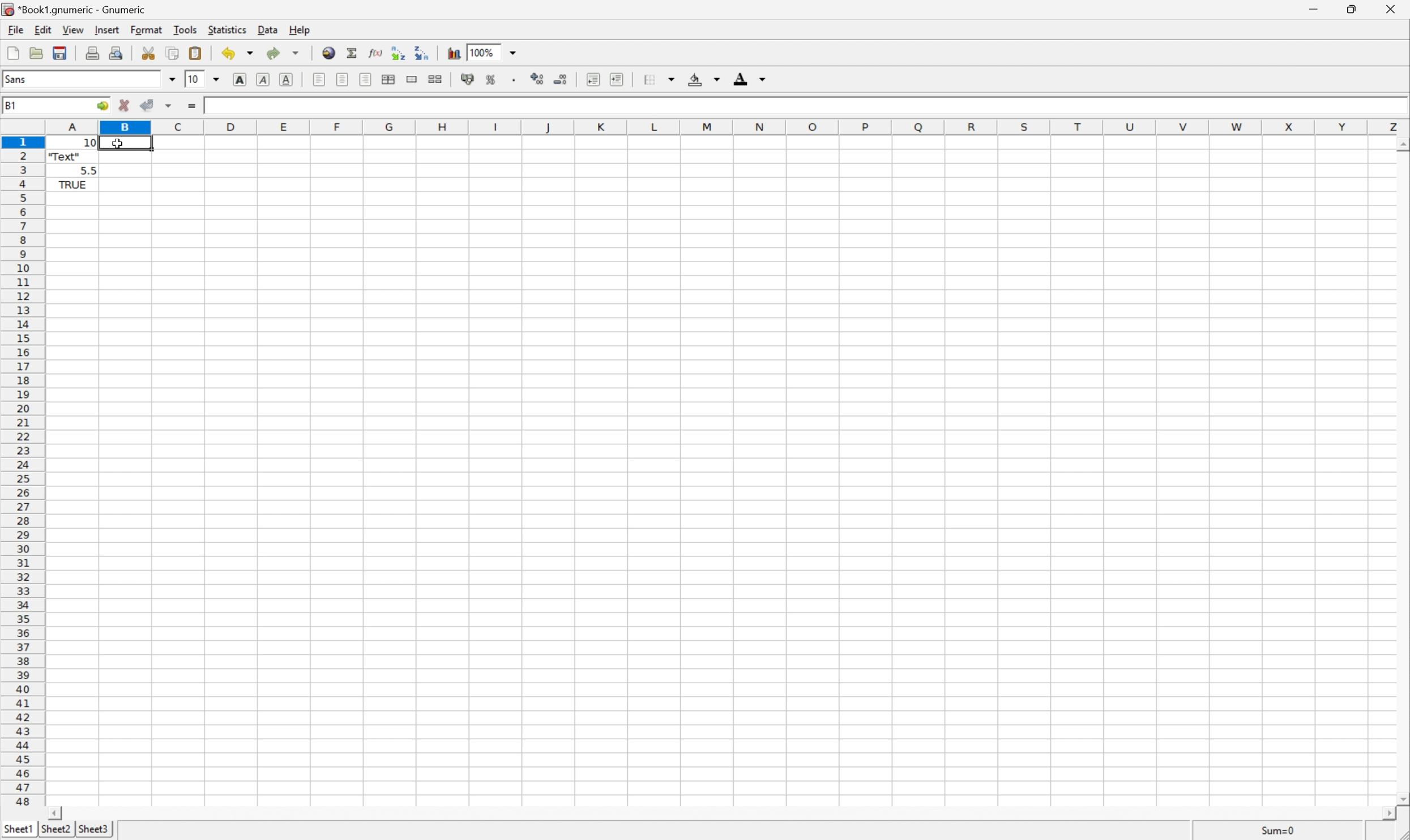 Image resolution: width=1410 pixels, height=840 pixels. I want to click on 10, so click(72, 143).